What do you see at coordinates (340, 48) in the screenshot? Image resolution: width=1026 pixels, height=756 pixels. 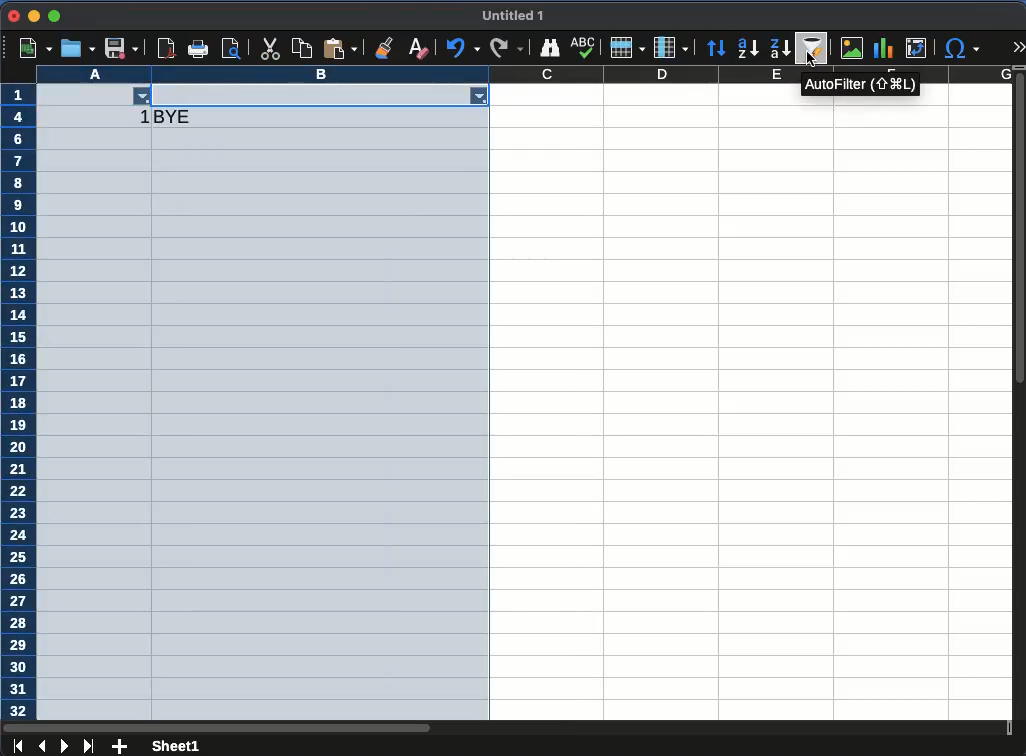 I see `paste` at bounding box center [340, 48].